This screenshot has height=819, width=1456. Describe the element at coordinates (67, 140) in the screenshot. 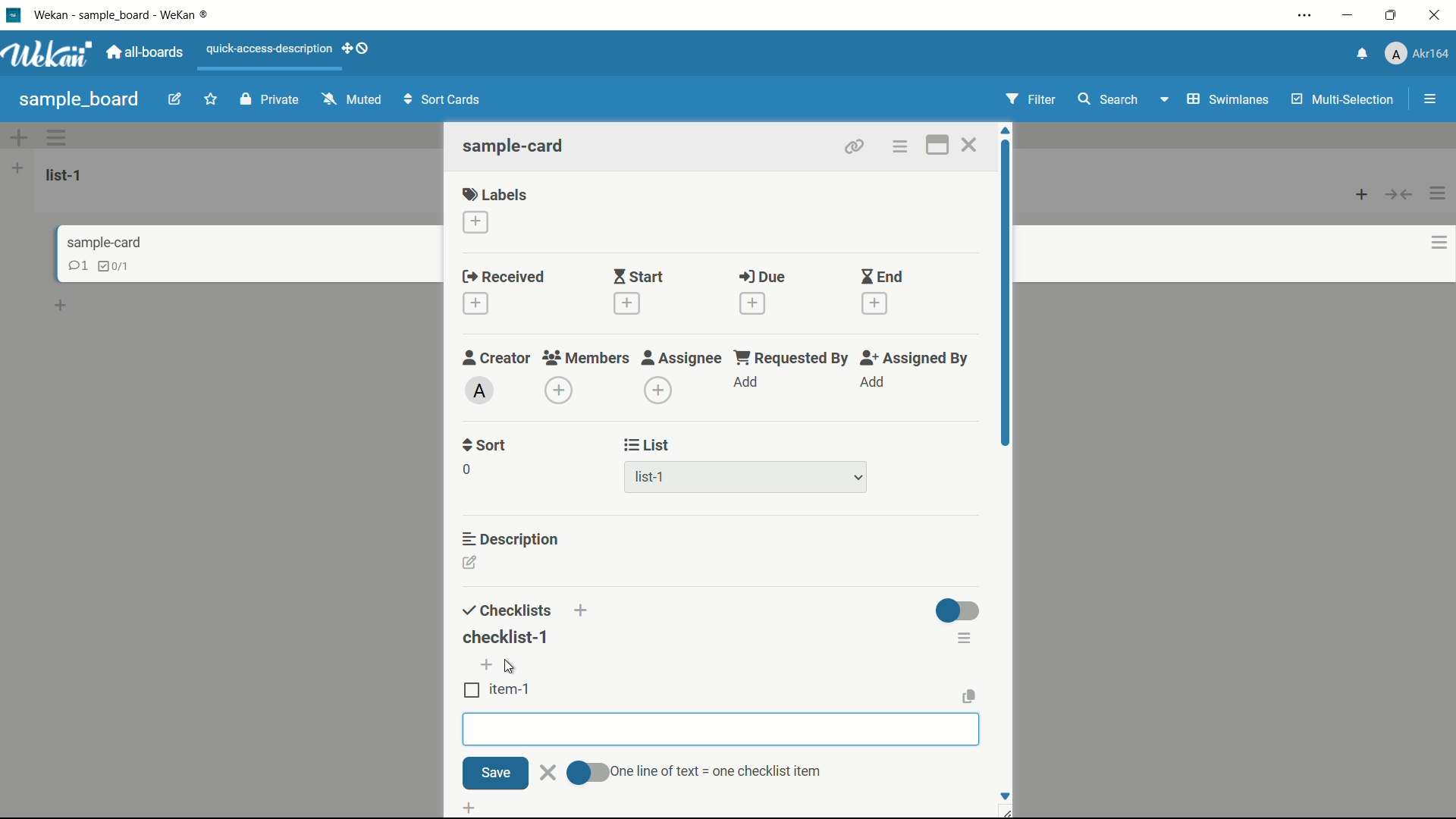

I see `options` at that location.